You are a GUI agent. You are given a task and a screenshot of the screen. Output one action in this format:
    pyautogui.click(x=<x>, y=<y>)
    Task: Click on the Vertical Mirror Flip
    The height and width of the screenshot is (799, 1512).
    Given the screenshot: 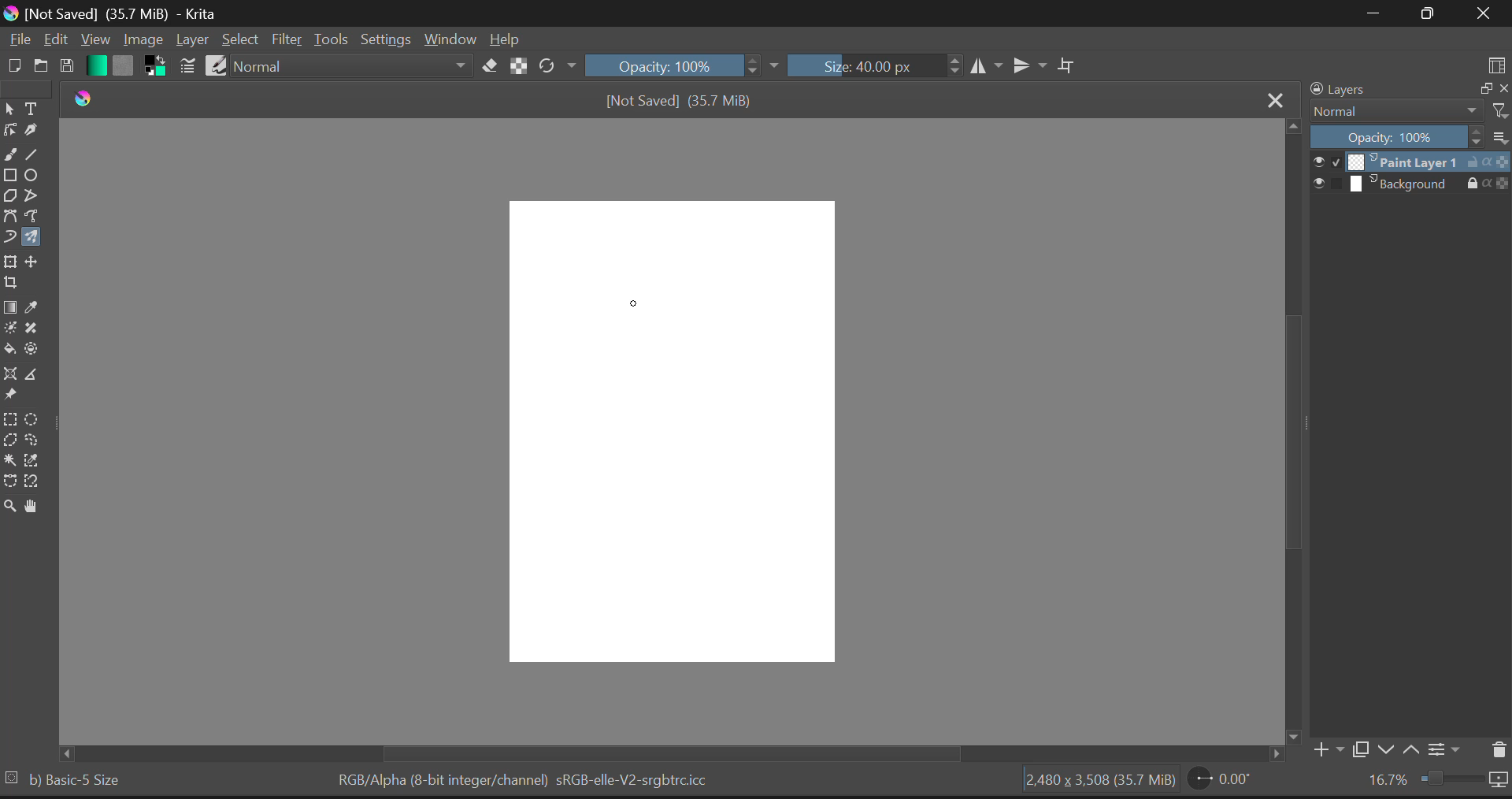 What is the action you would take?
    pyautogui.click(x=988, y=66)
    